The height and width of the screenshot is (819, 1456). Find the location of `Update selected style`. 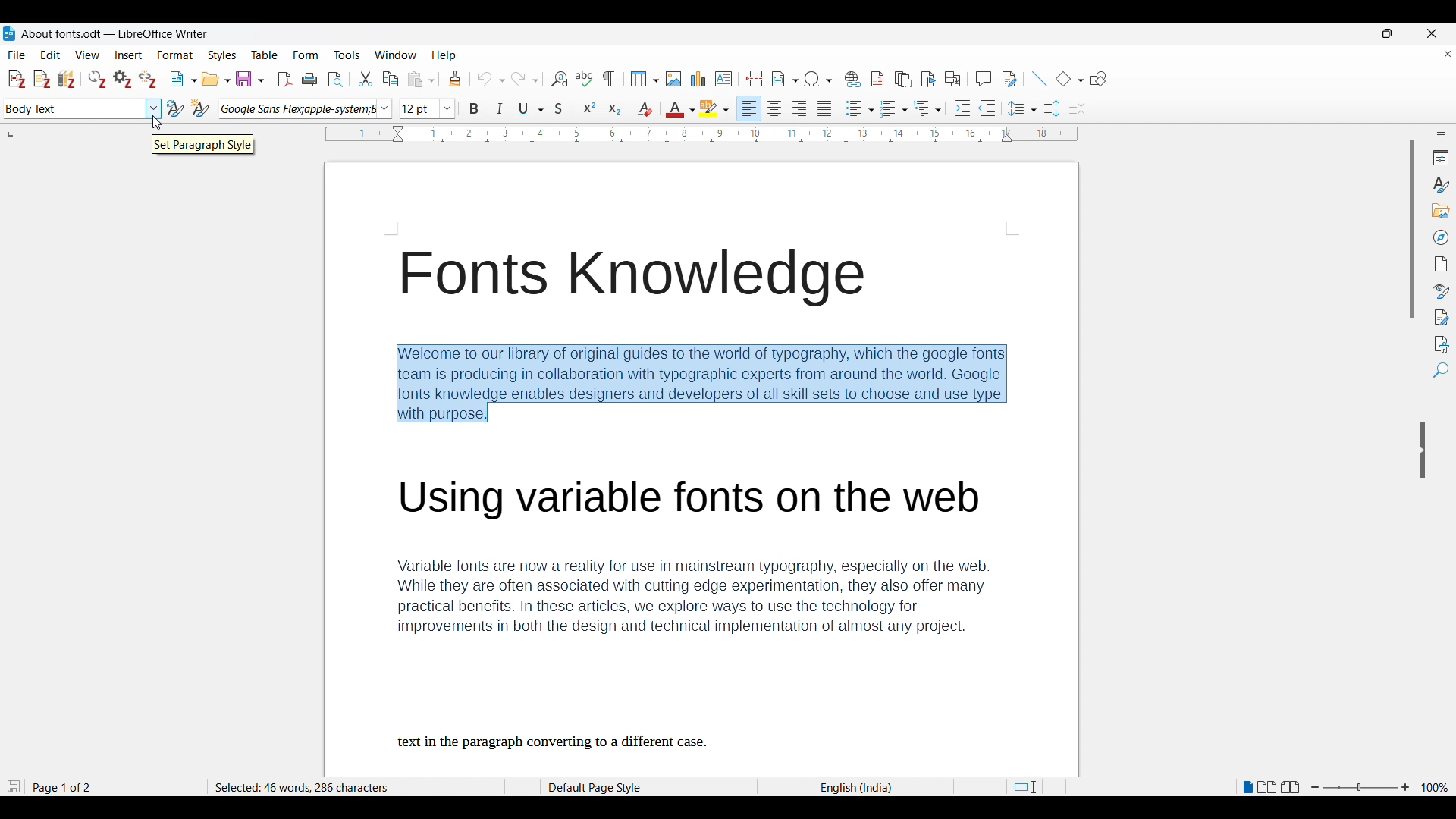

Update selected style is located at coordinates (175, 108).